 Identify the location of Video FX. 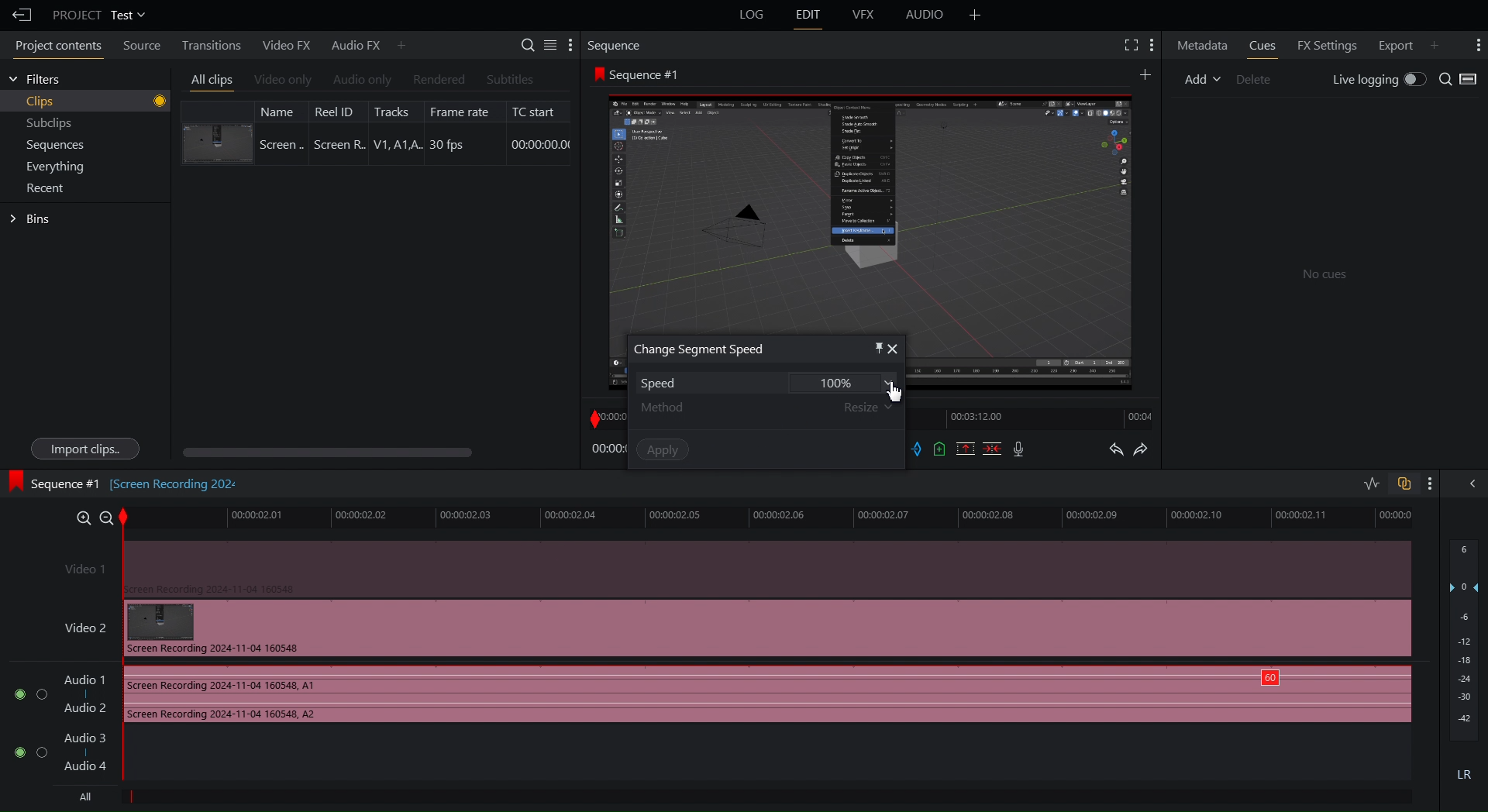
(284, 45).